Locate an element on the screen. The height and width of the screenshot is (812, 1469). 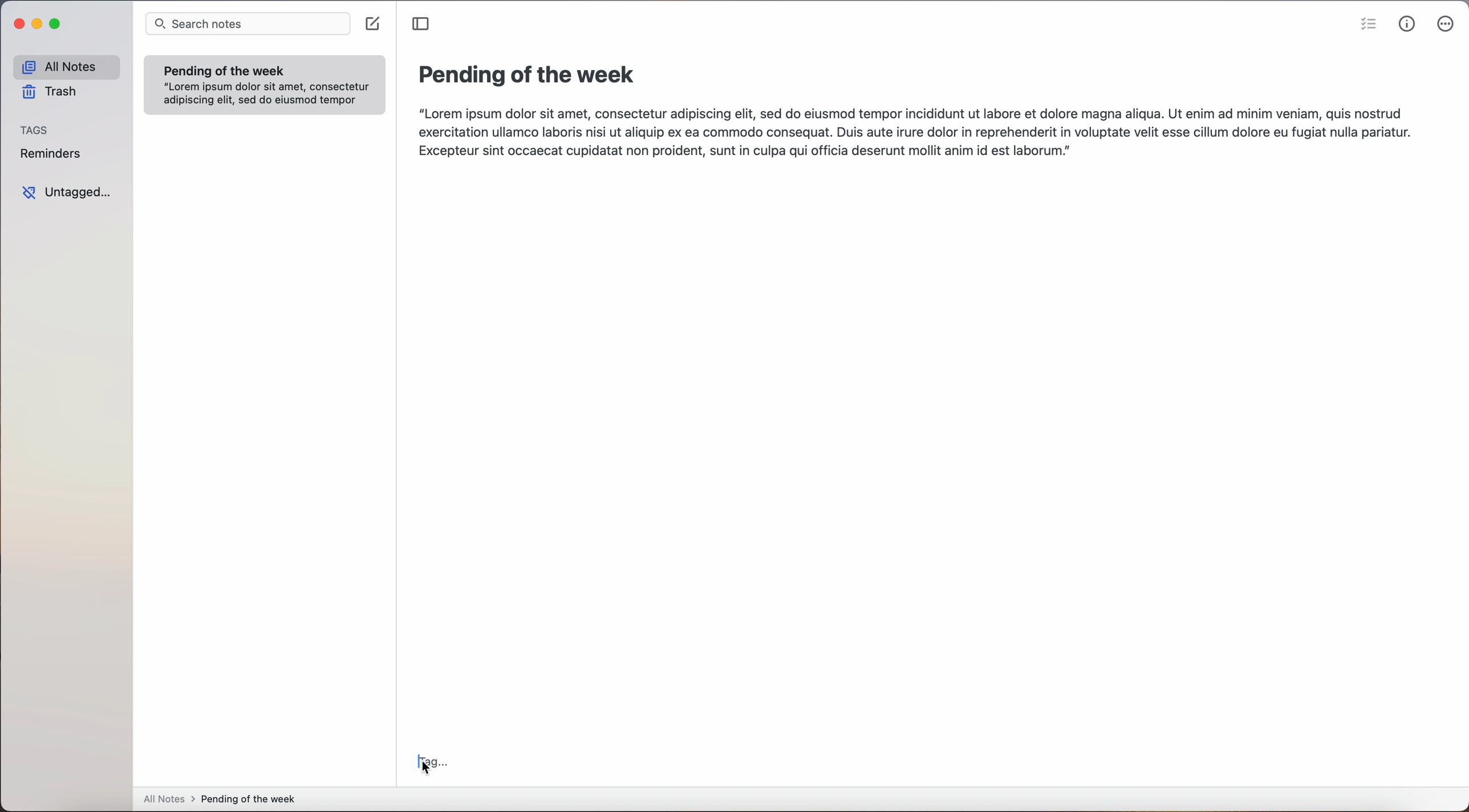
note is located at coordinates (265, 84).